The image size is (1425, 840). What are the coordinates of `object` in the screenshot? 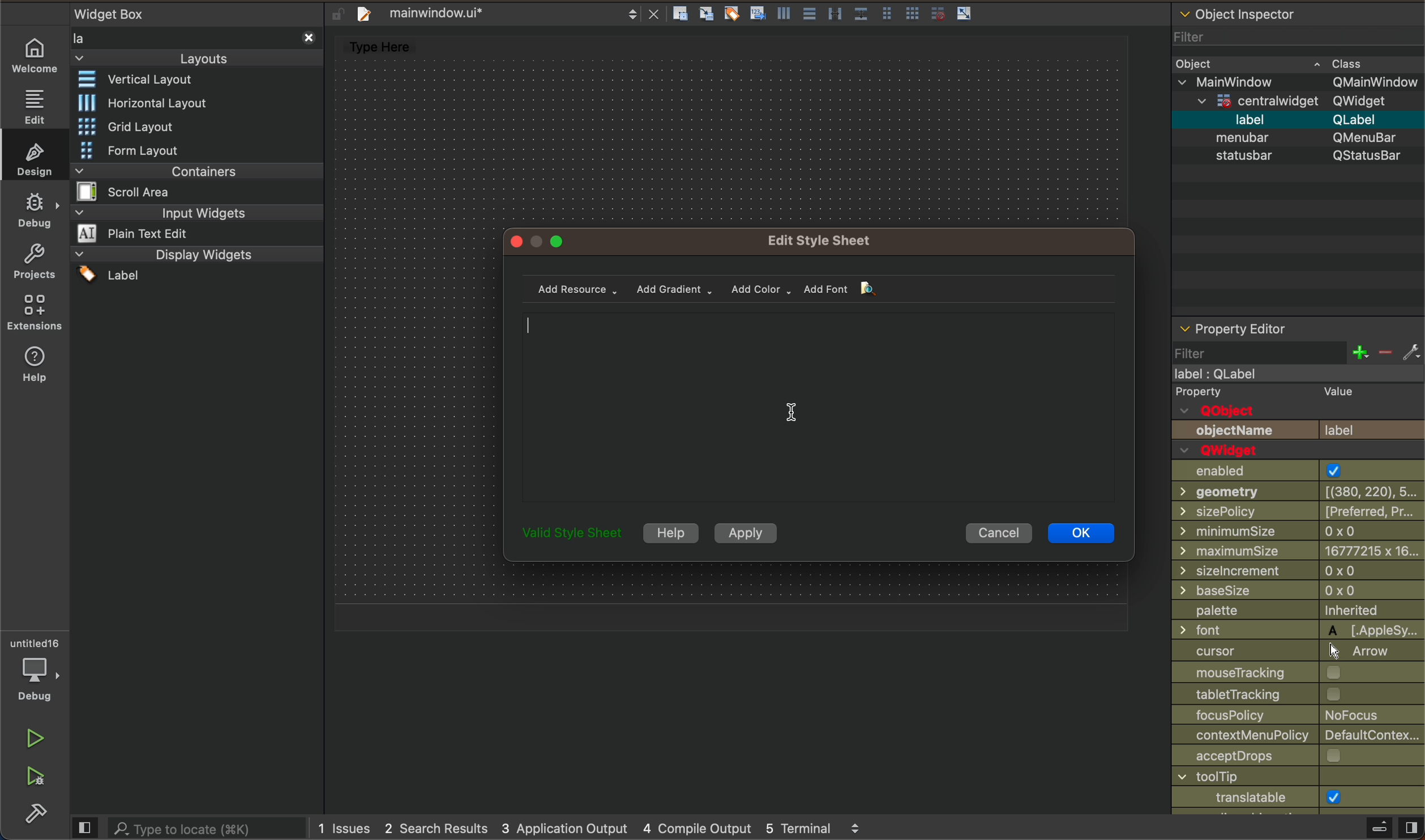 It's located at (1274, 63).